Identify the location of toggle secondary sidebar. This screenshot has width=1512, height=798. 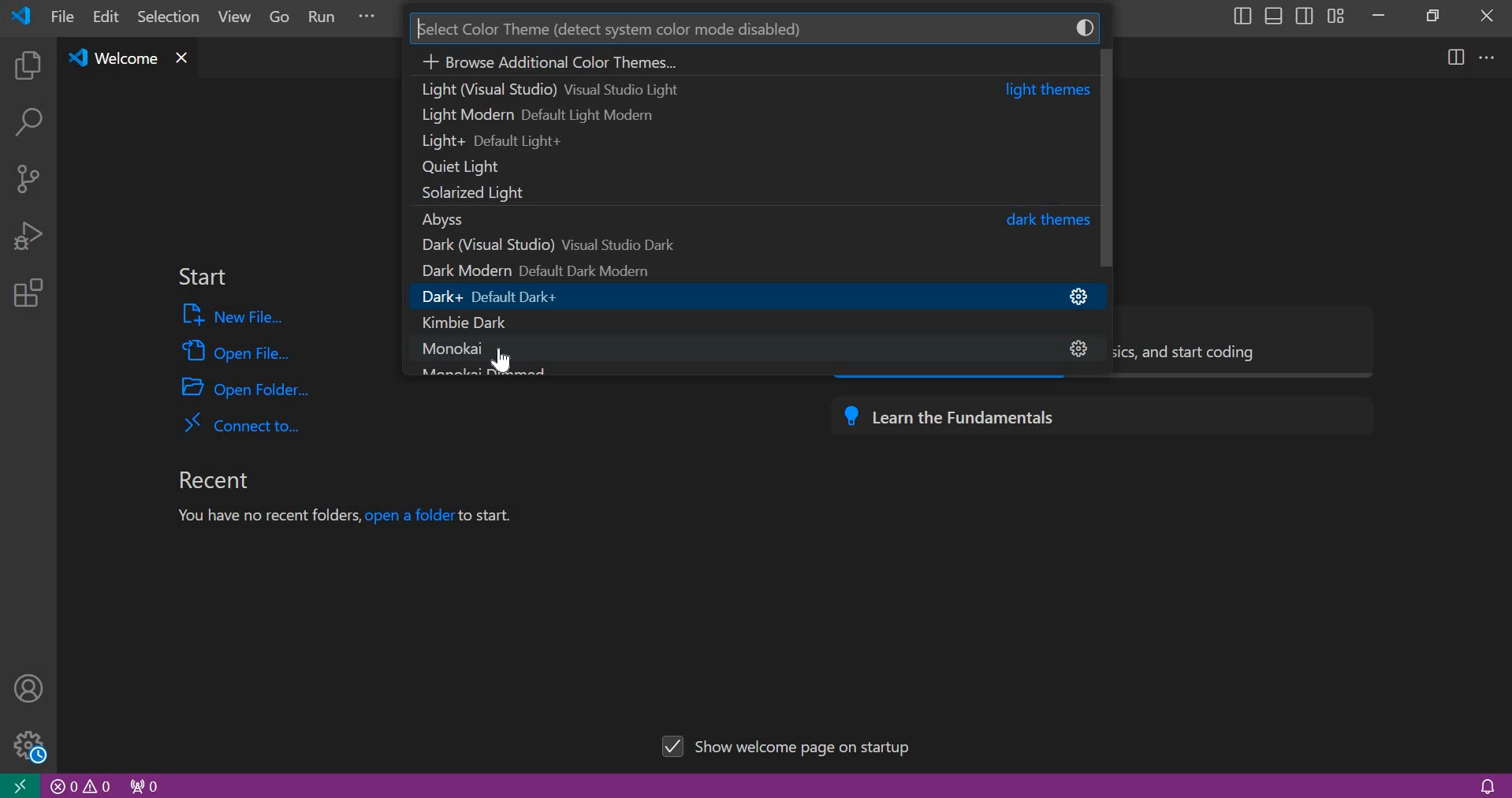
(1305, 14).